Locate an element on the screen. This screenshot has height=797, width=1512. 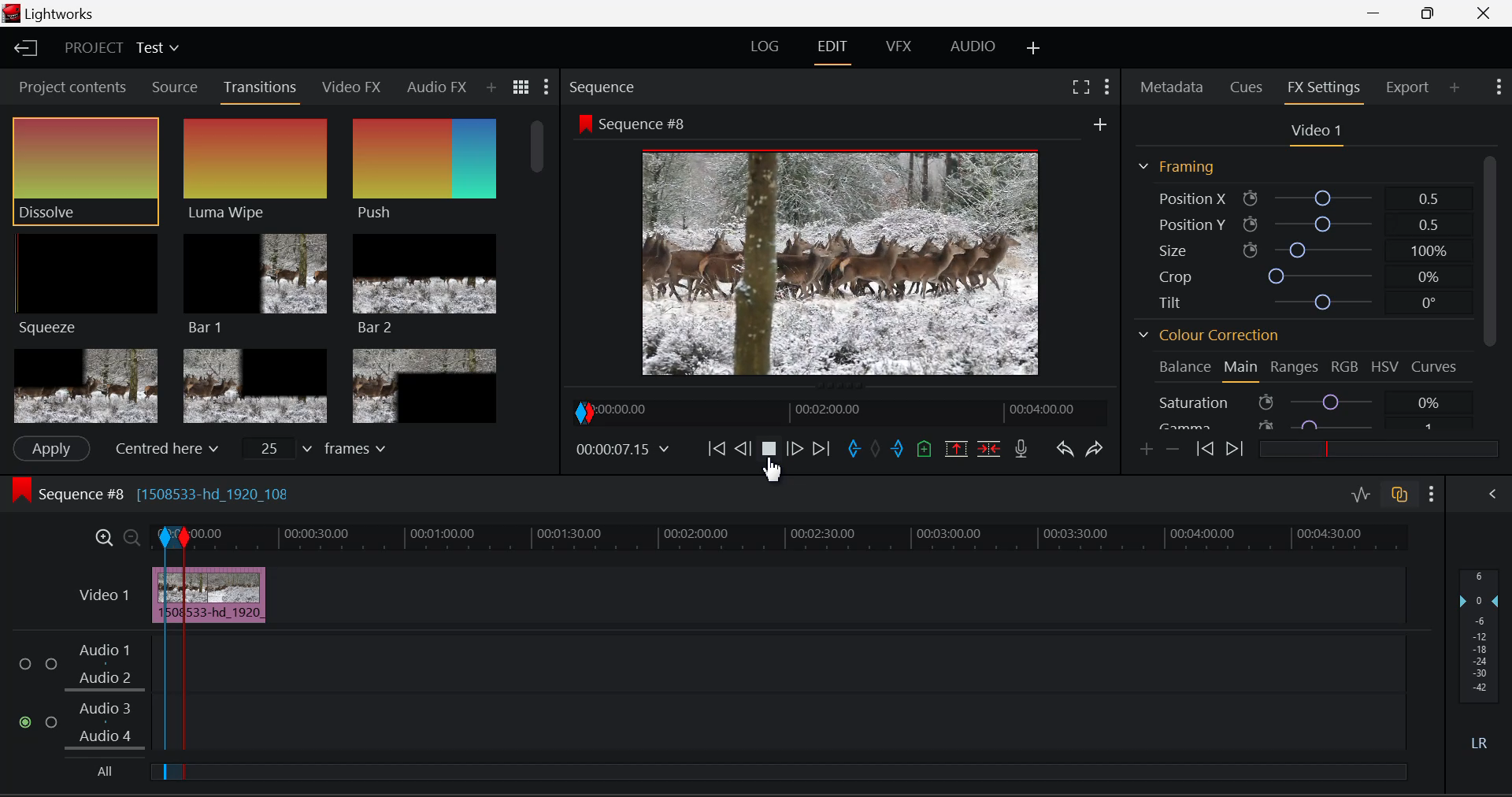
Audio 4 is located at coordinates (106, 736).